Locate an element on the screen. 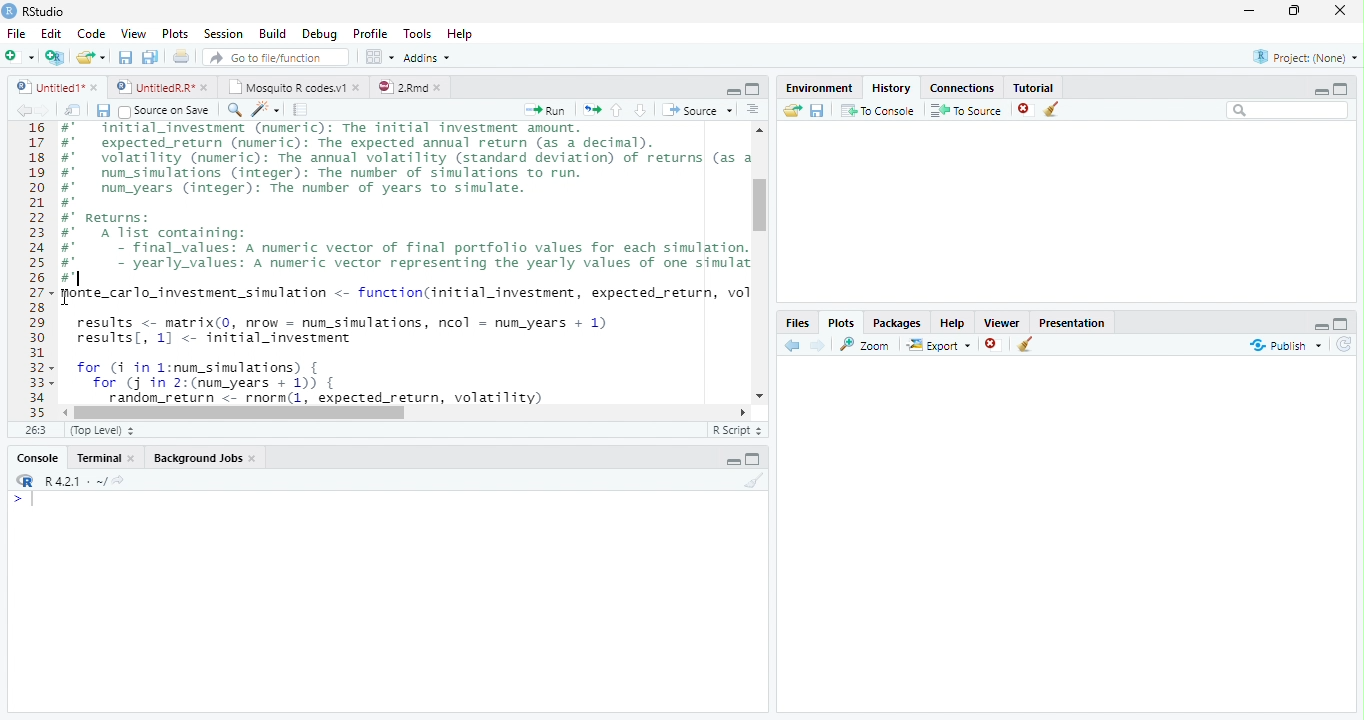  Packages is located at coordinates (896, 321).